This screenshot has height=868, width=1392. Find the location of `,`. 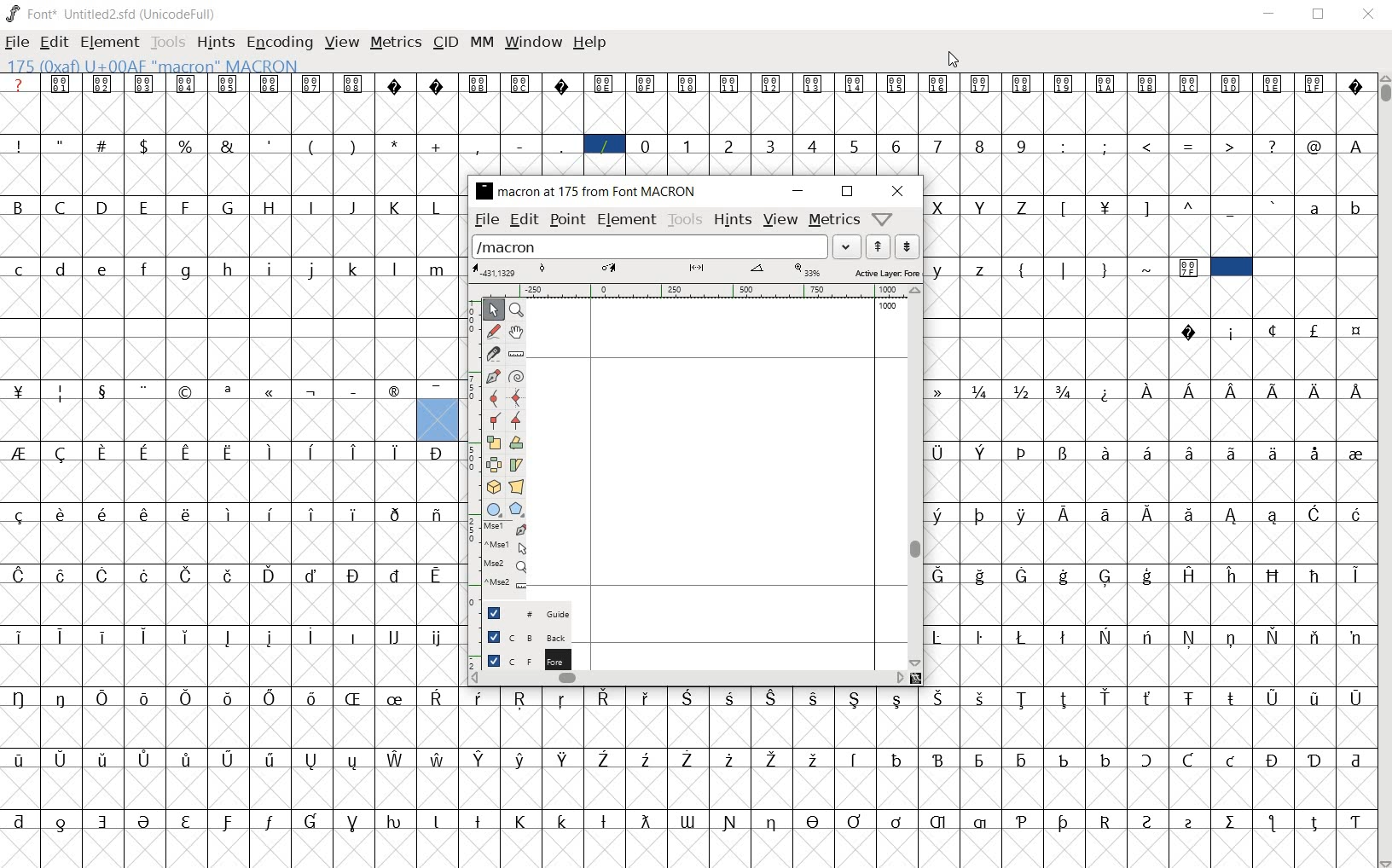

, is located at coordinates (478, 148).